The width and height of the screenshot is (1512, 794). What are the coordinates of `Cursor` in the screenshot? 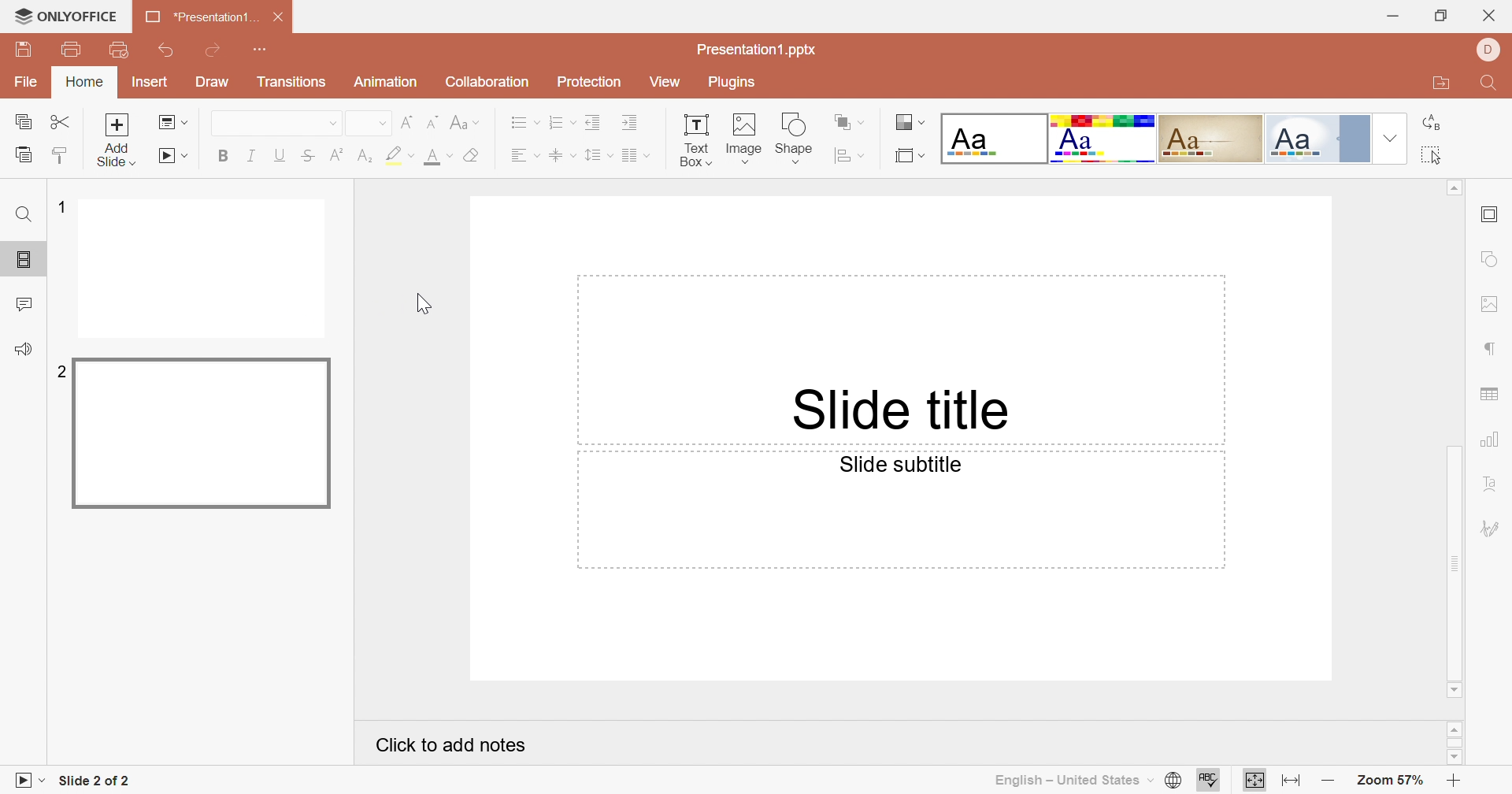 It's located at (424, 302).